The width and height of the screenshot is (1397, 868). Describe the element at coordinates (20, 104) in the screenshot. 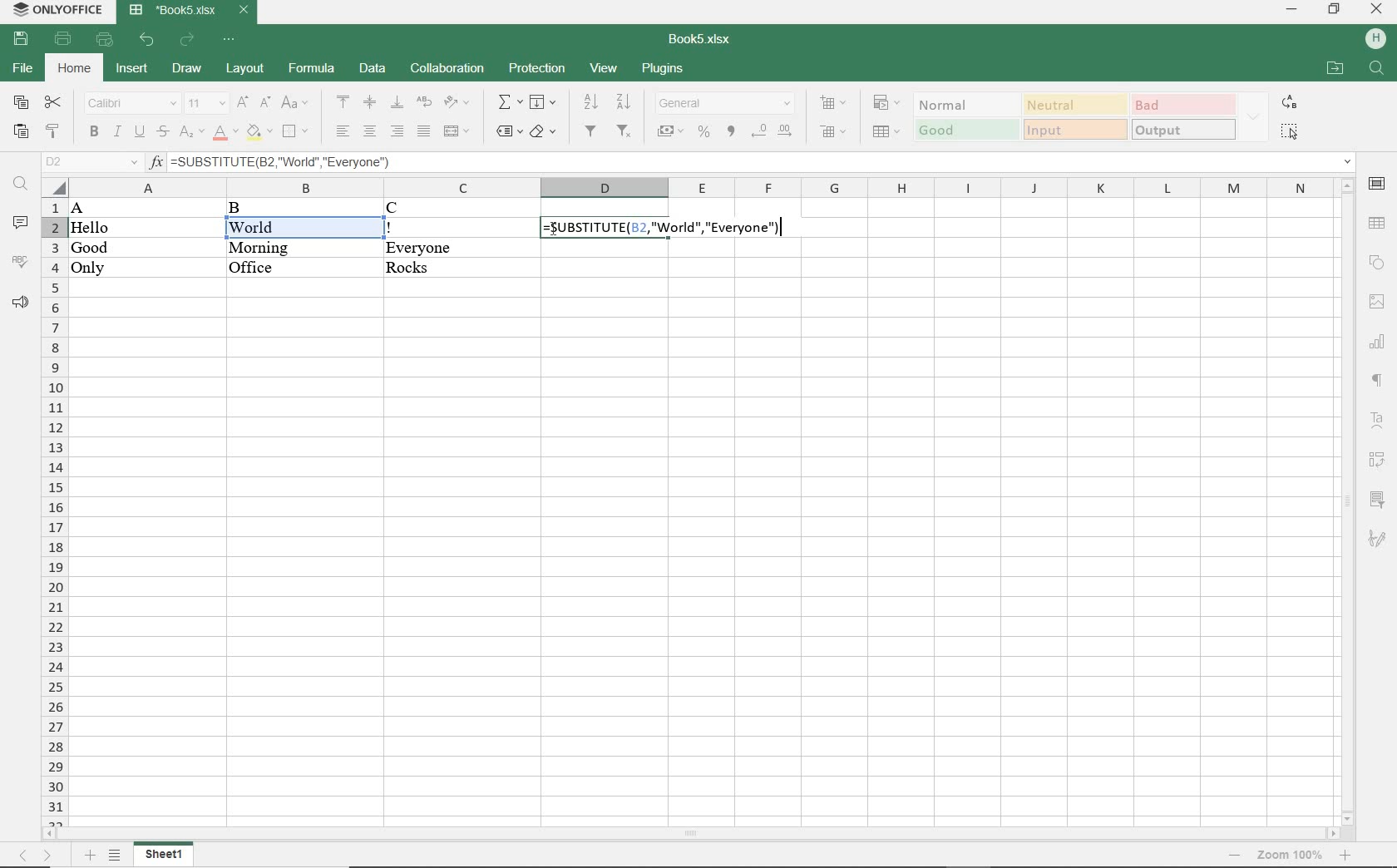

I see `copy` at that location.